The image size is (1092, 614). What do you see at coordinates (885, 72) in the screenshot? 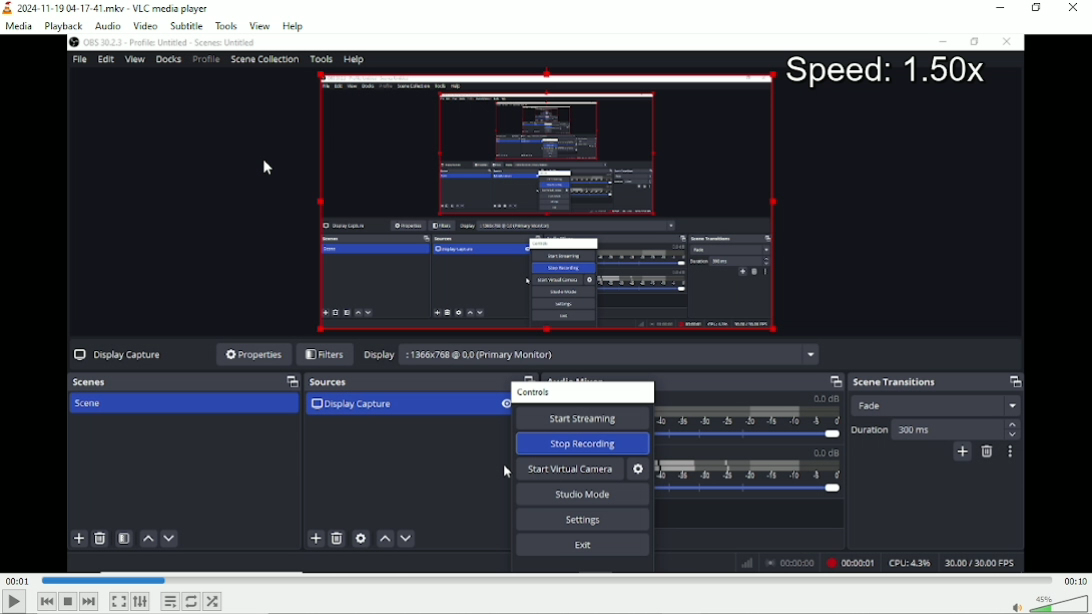
I see `Speed: 1.50x` at bounding box center [885, 72].